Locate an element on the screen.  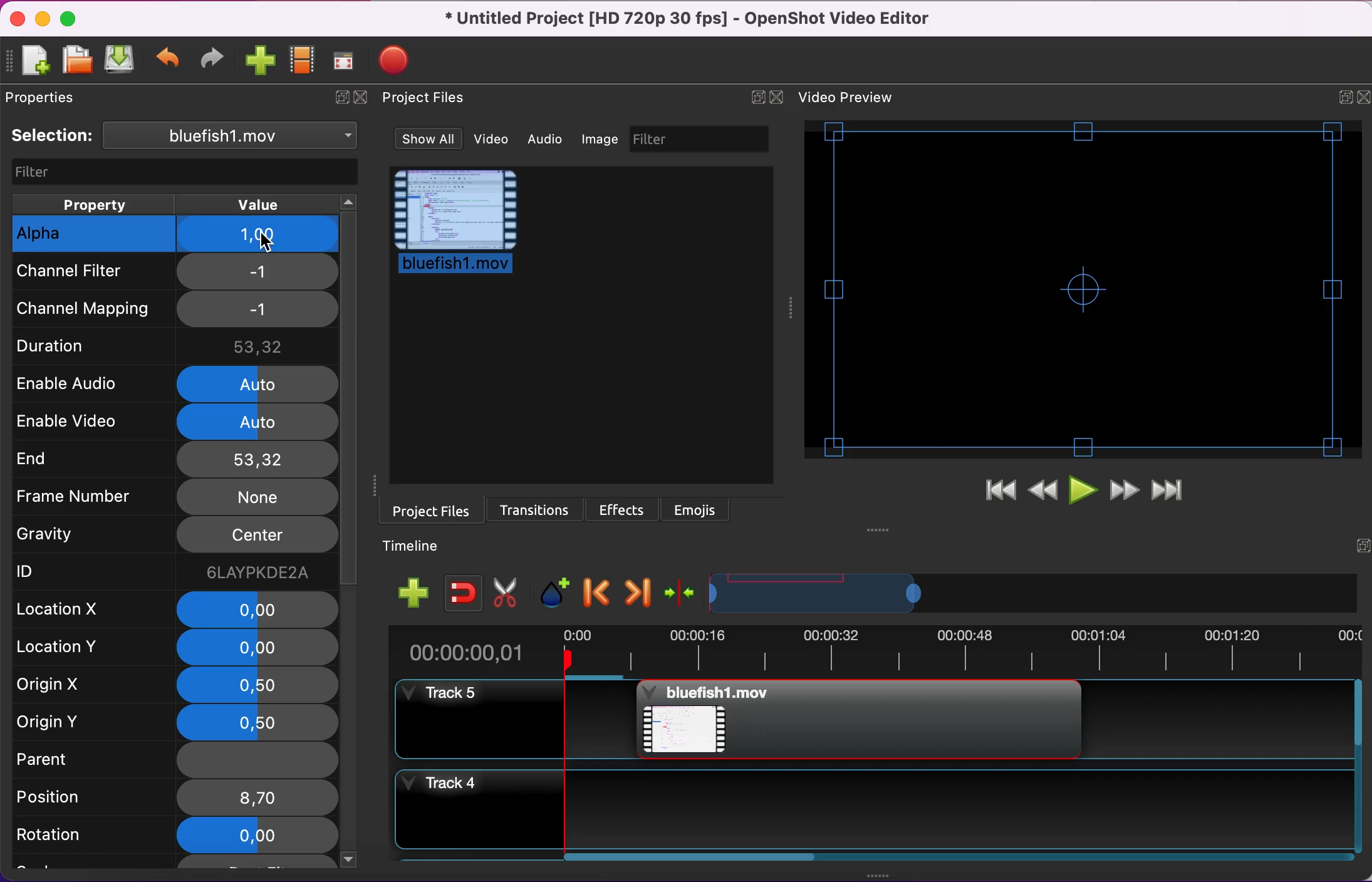
expand/hide is located at coordinates (341, 97).